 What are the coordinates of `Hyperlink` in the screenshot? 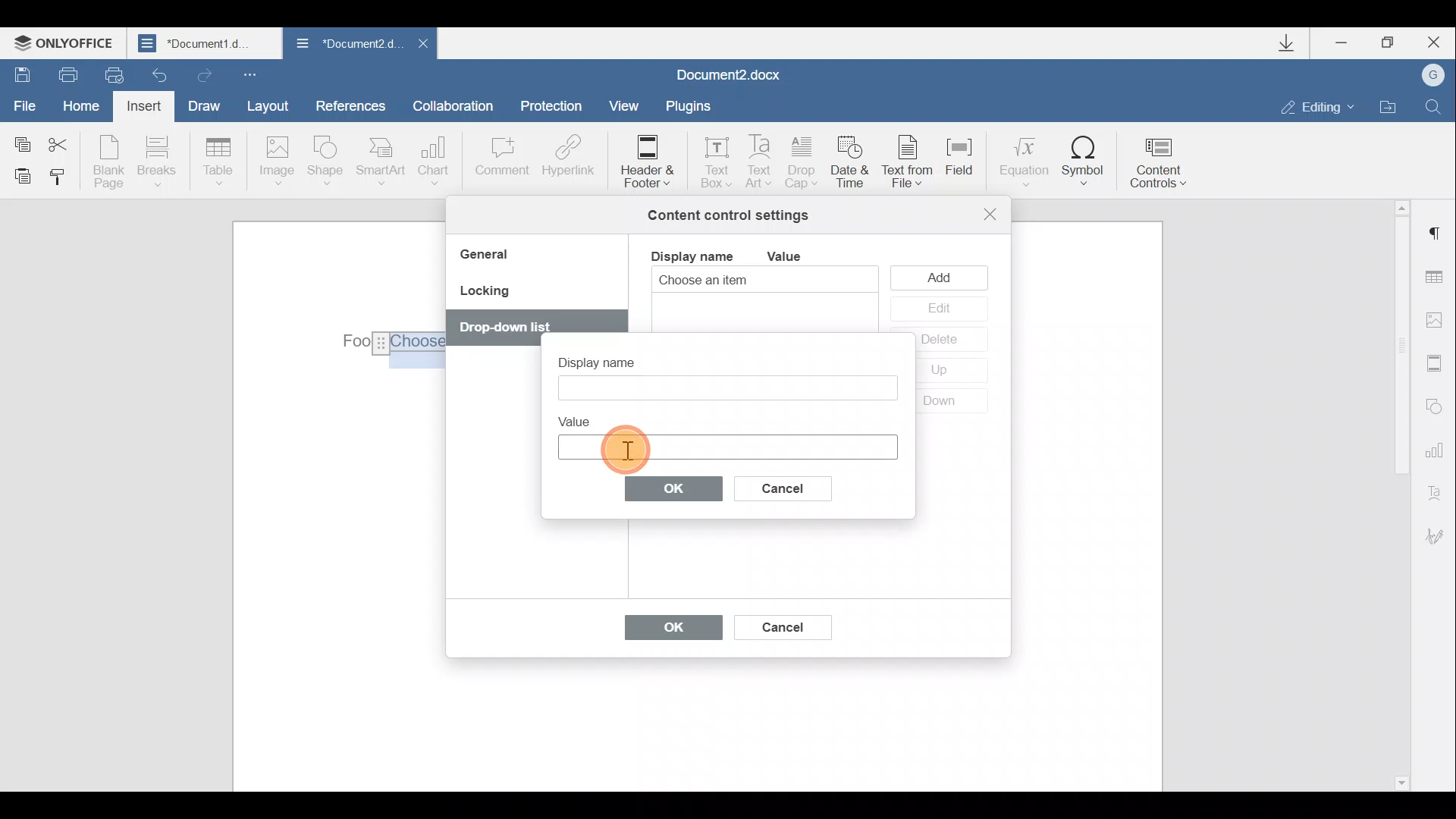 It's located at (565, 158).